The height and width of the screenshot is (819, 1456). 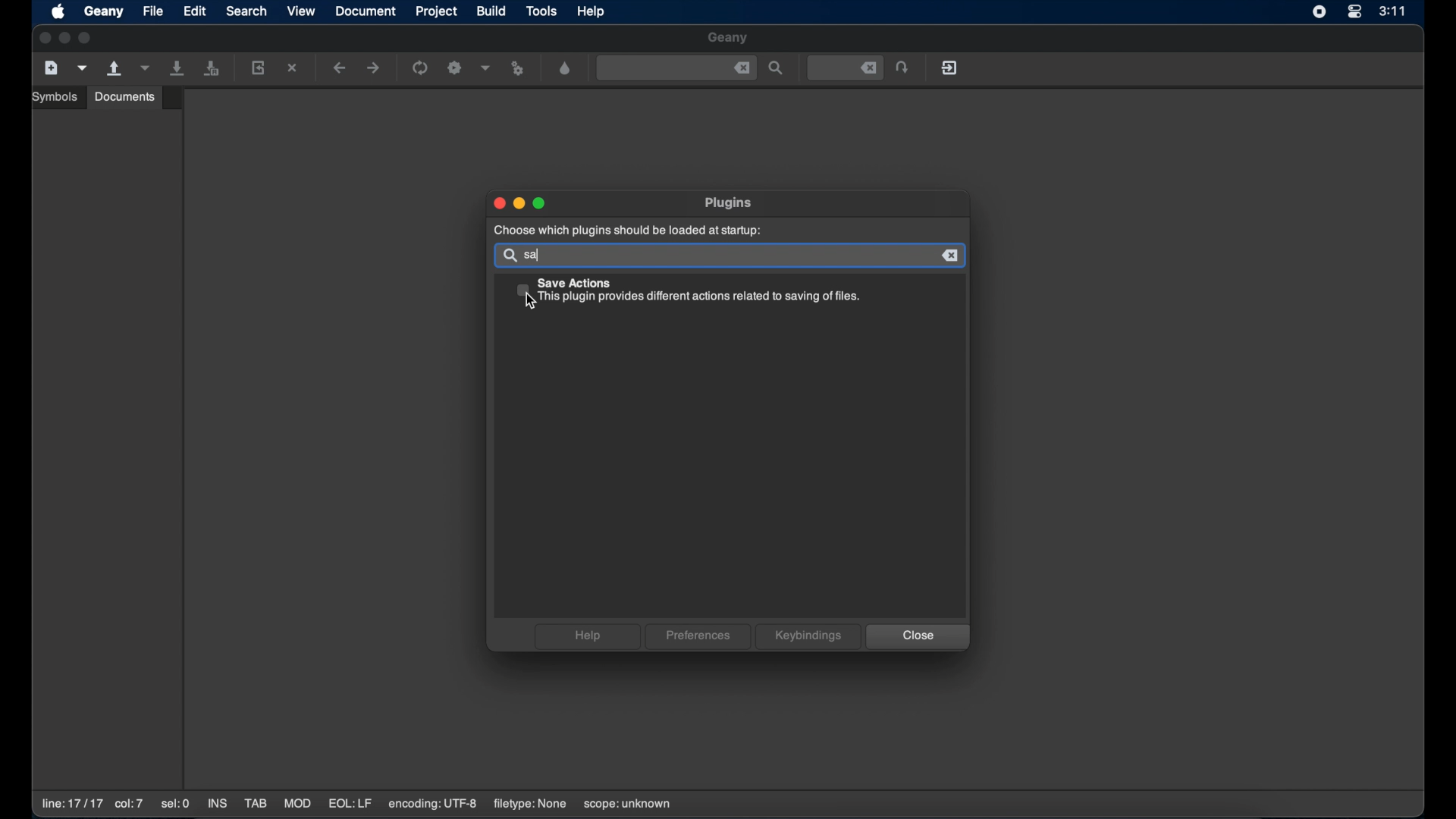 I want to click on minimize, so click(x=65, y=39).